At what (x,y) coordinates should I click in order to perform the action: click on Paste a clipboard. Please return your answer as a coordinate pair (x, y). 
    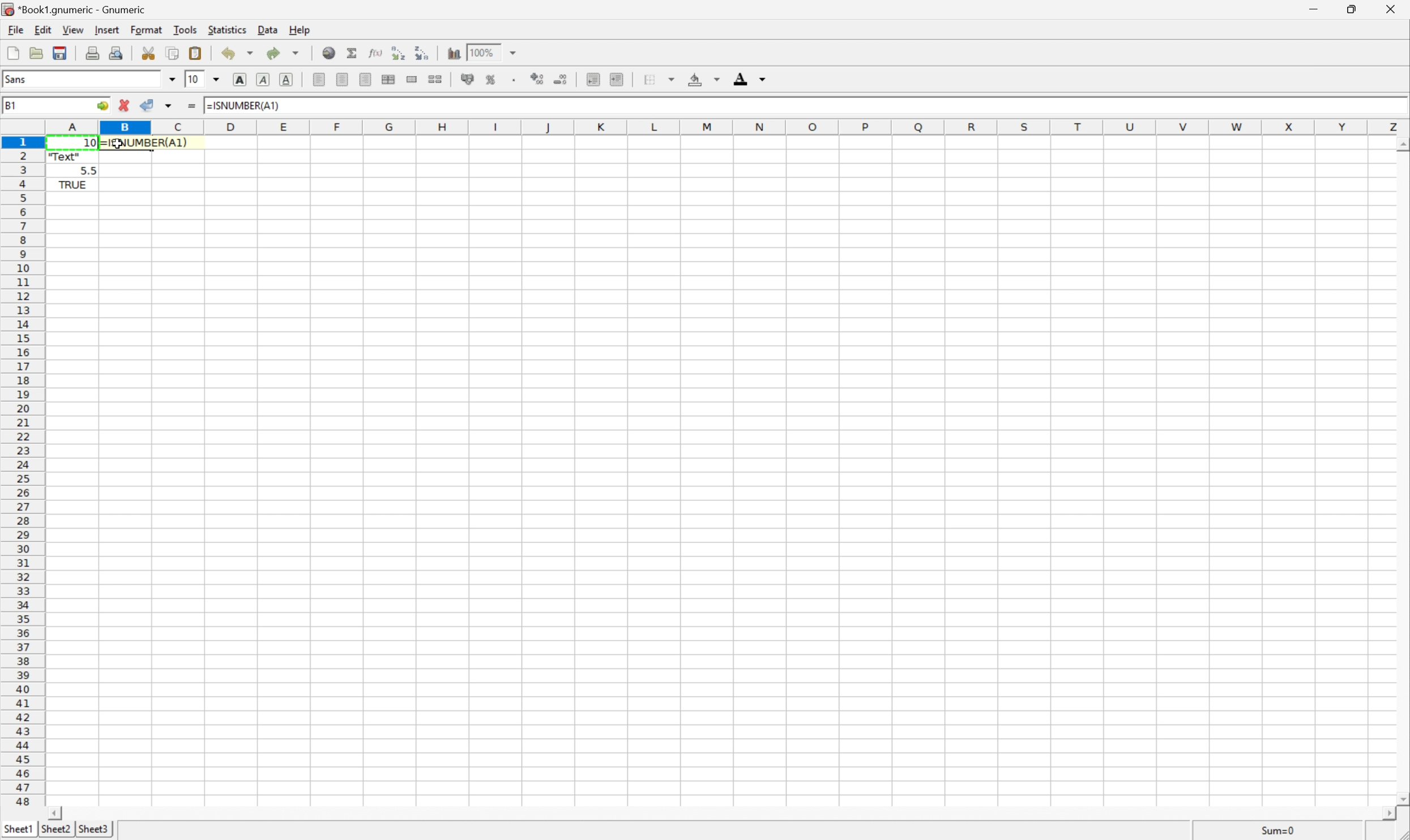
    Looking at the image, I should click on (195, 52).